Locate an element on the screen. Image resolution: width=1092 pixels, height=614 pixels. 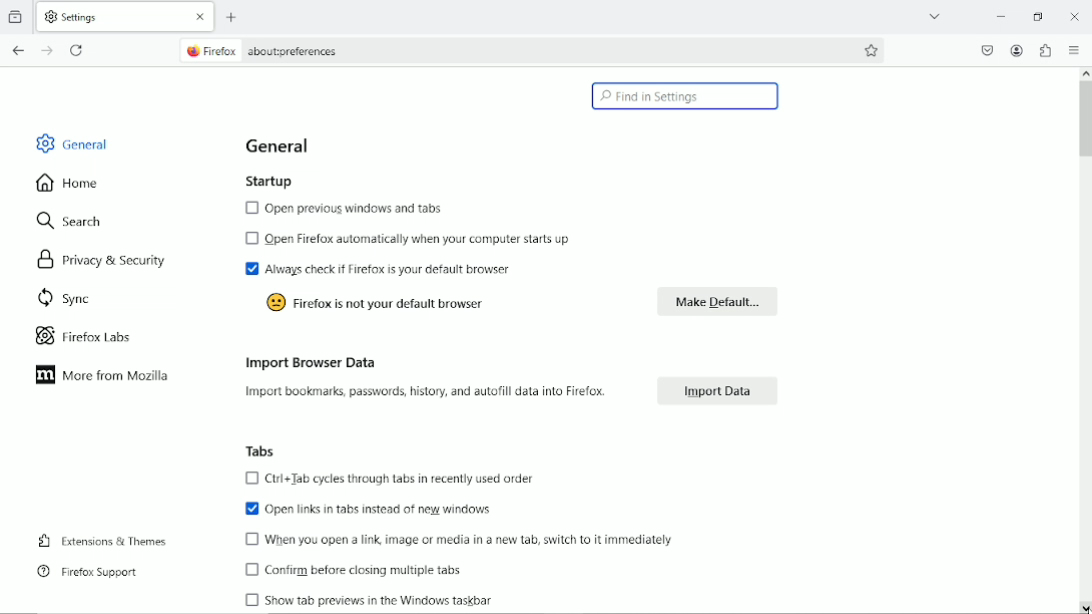
restore down is located at coordinates (1038, 16).